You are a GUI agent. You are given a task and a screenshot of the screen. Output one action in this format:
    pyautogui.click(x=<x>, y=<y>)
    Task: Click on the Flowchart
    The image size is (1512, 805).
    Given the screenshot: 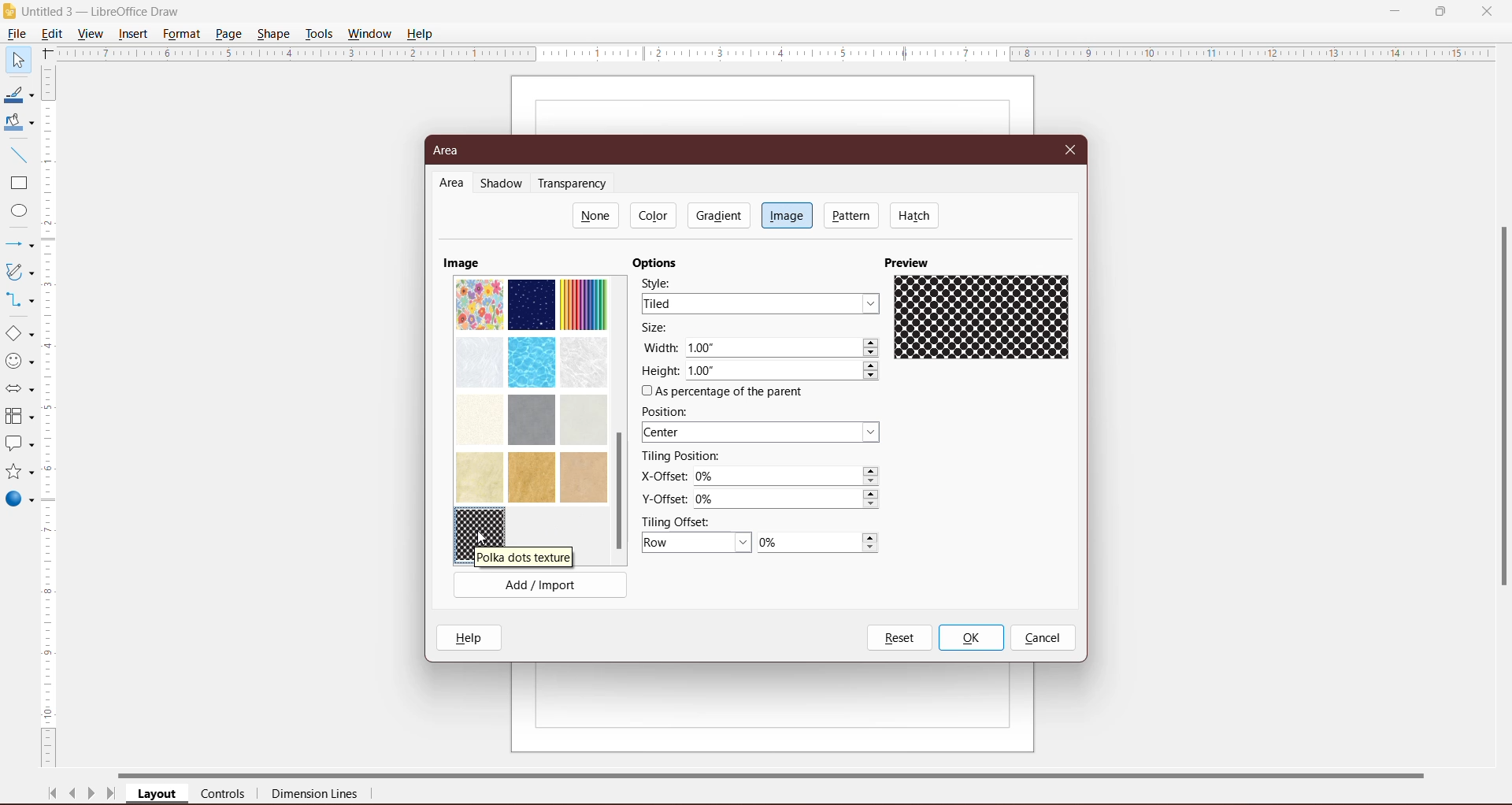 What is the action you would take?
    pyautogui.click(x=19, y=417)
    